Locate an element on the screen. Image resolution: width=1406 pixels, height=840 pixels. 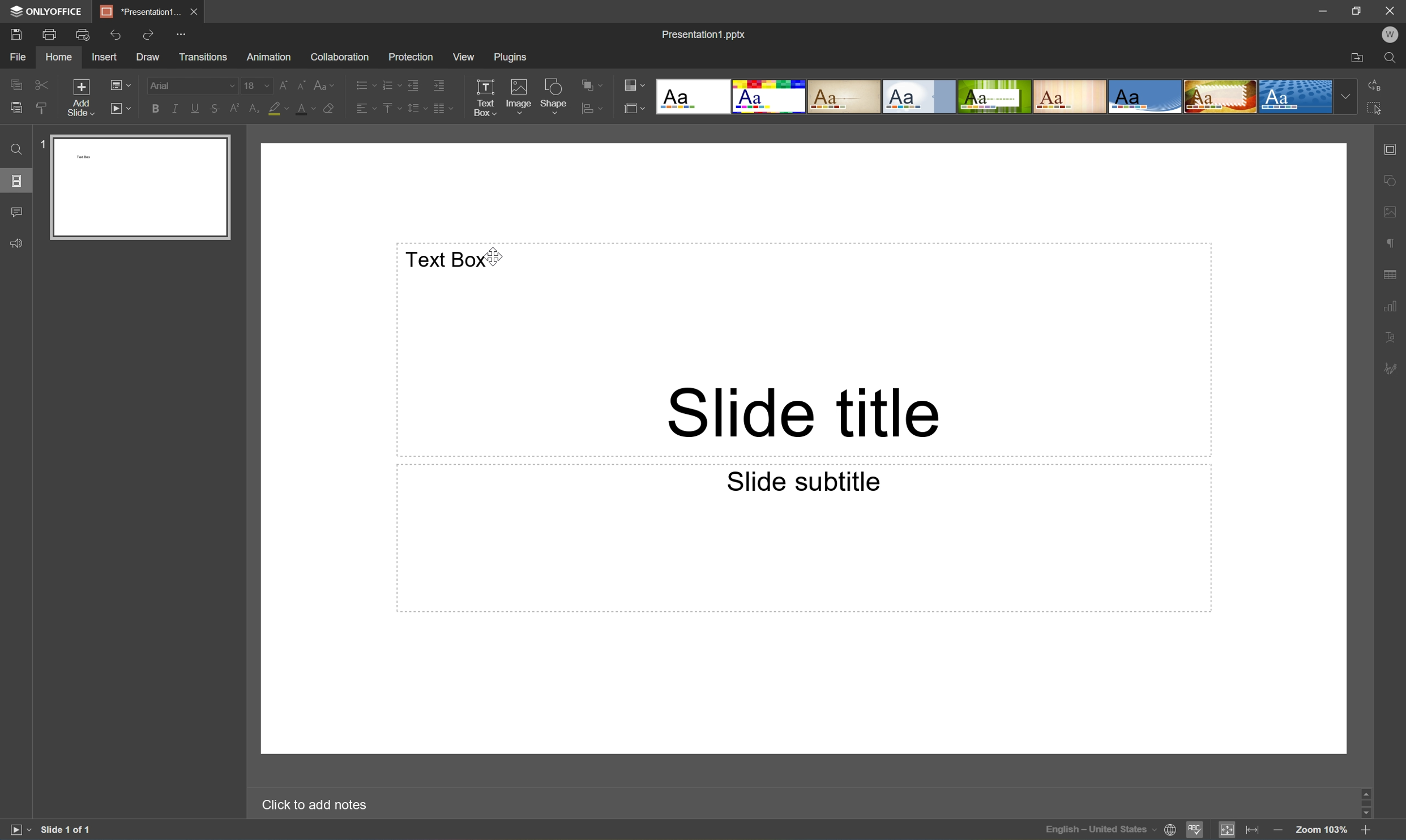
Decrement font size is located at coordinates (300, 85).